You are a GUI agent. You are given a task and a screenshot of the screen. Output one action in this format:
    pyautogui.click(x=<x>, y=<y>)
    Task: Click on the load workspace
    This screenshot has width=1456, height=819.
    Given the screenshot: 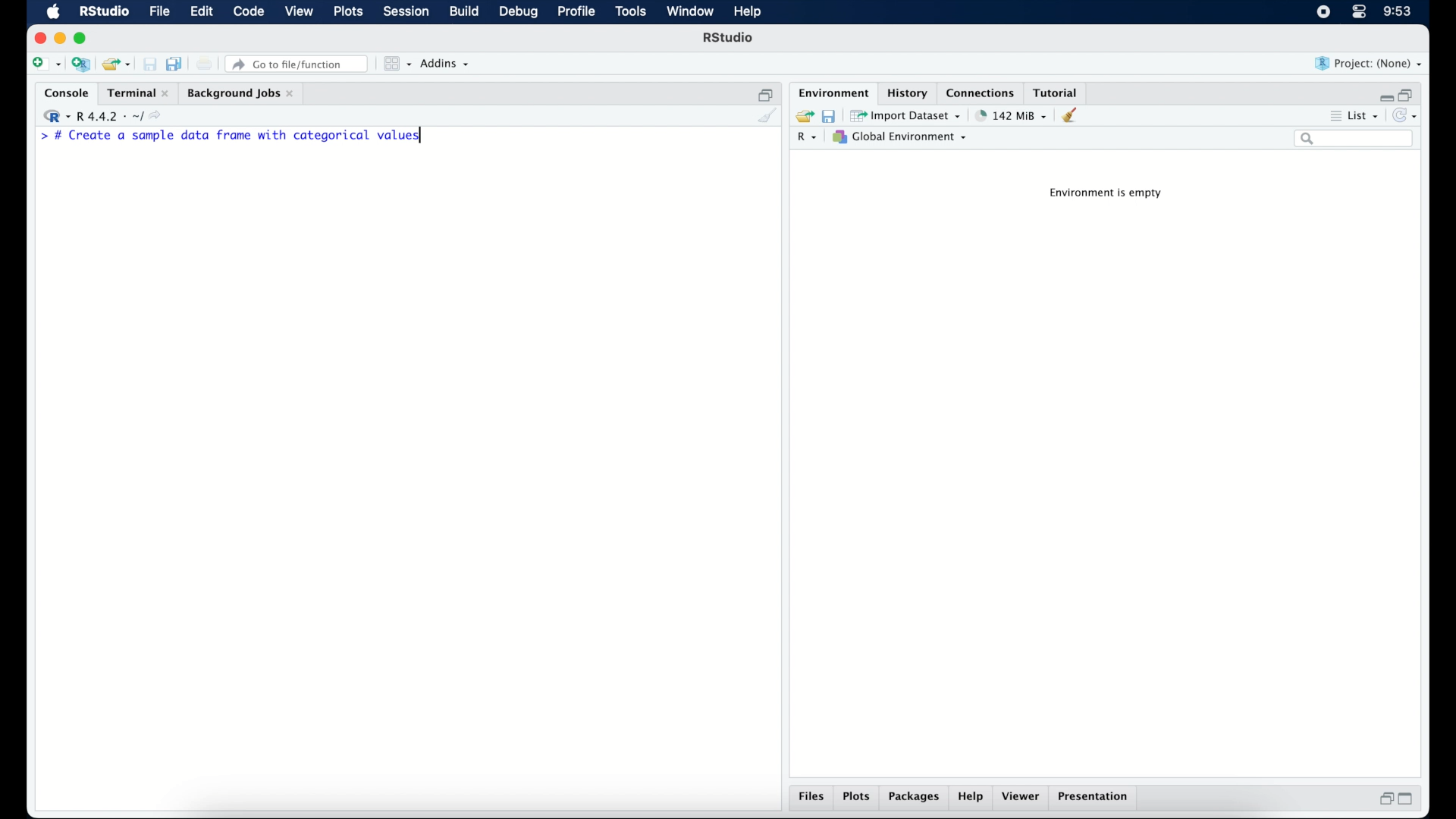 What is the action you would take?
    pyautogui.click(x=802, y=114)
    